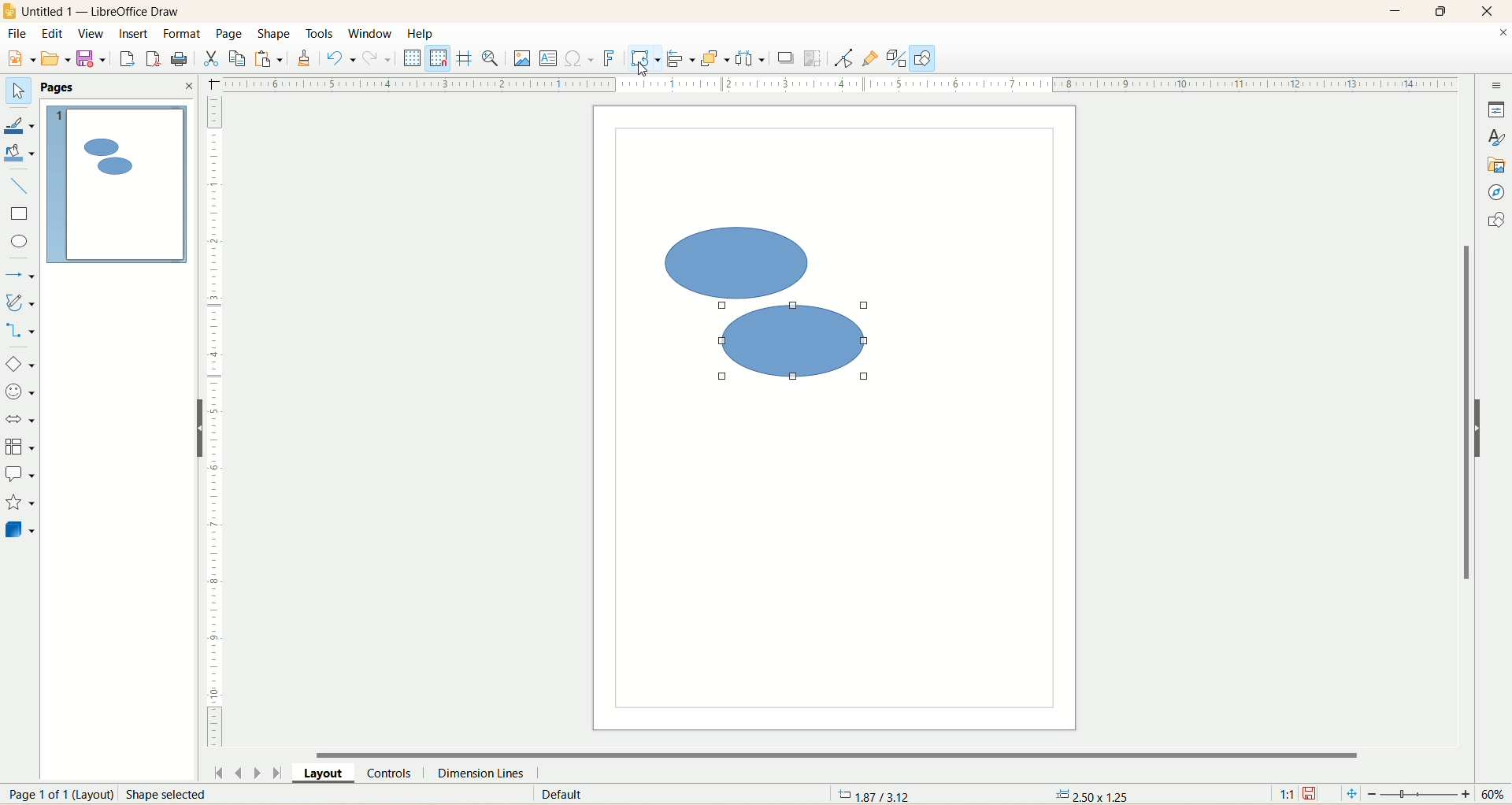 The width and height of the screenshot is (1512, 805). What do you see at coordinates (493, 772) in the screenshot?
I see `dimension lines` at bounding box center [493, 772].